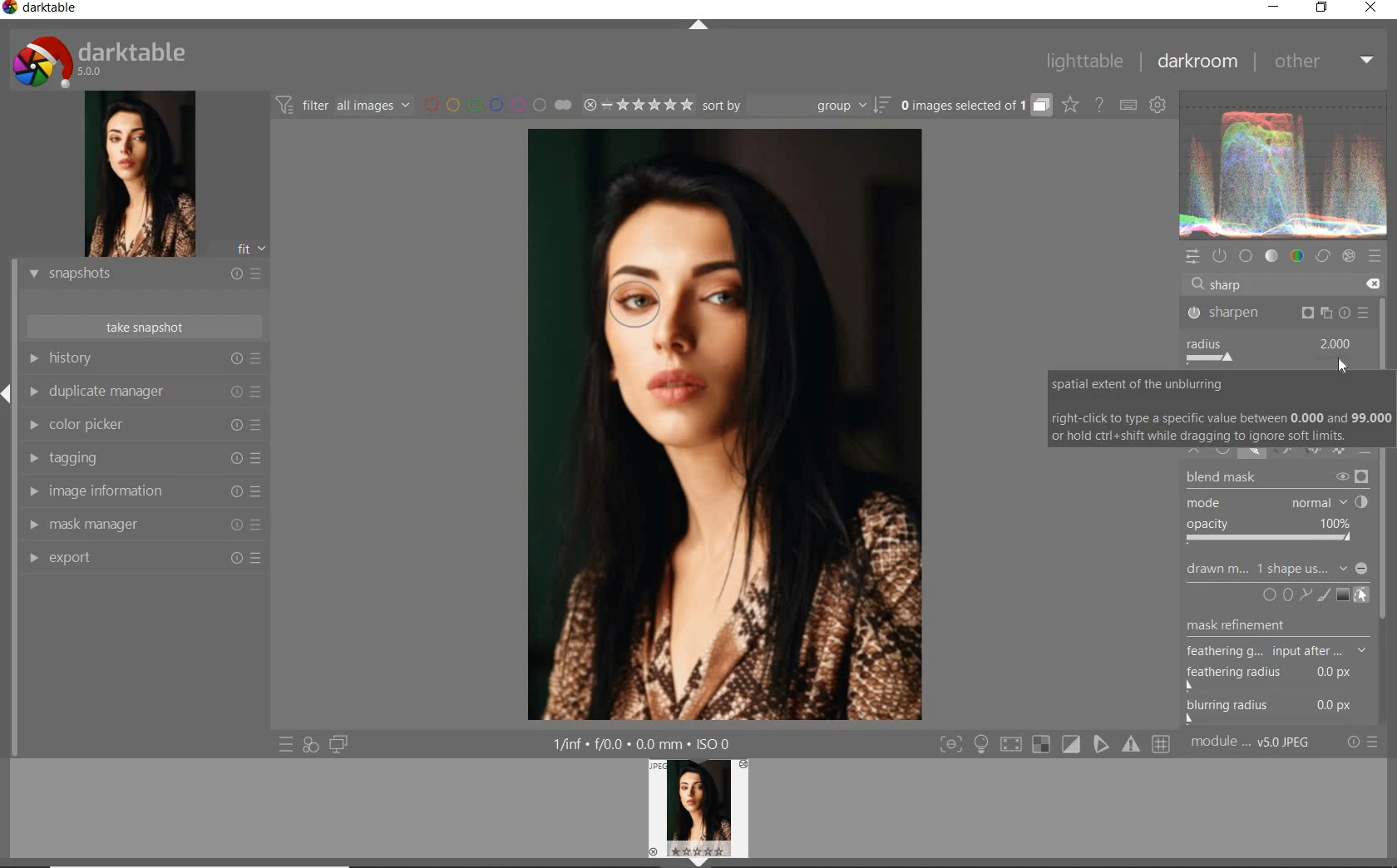 The image size is (1397, 868). I want to click on restore, so click(1323, 10).